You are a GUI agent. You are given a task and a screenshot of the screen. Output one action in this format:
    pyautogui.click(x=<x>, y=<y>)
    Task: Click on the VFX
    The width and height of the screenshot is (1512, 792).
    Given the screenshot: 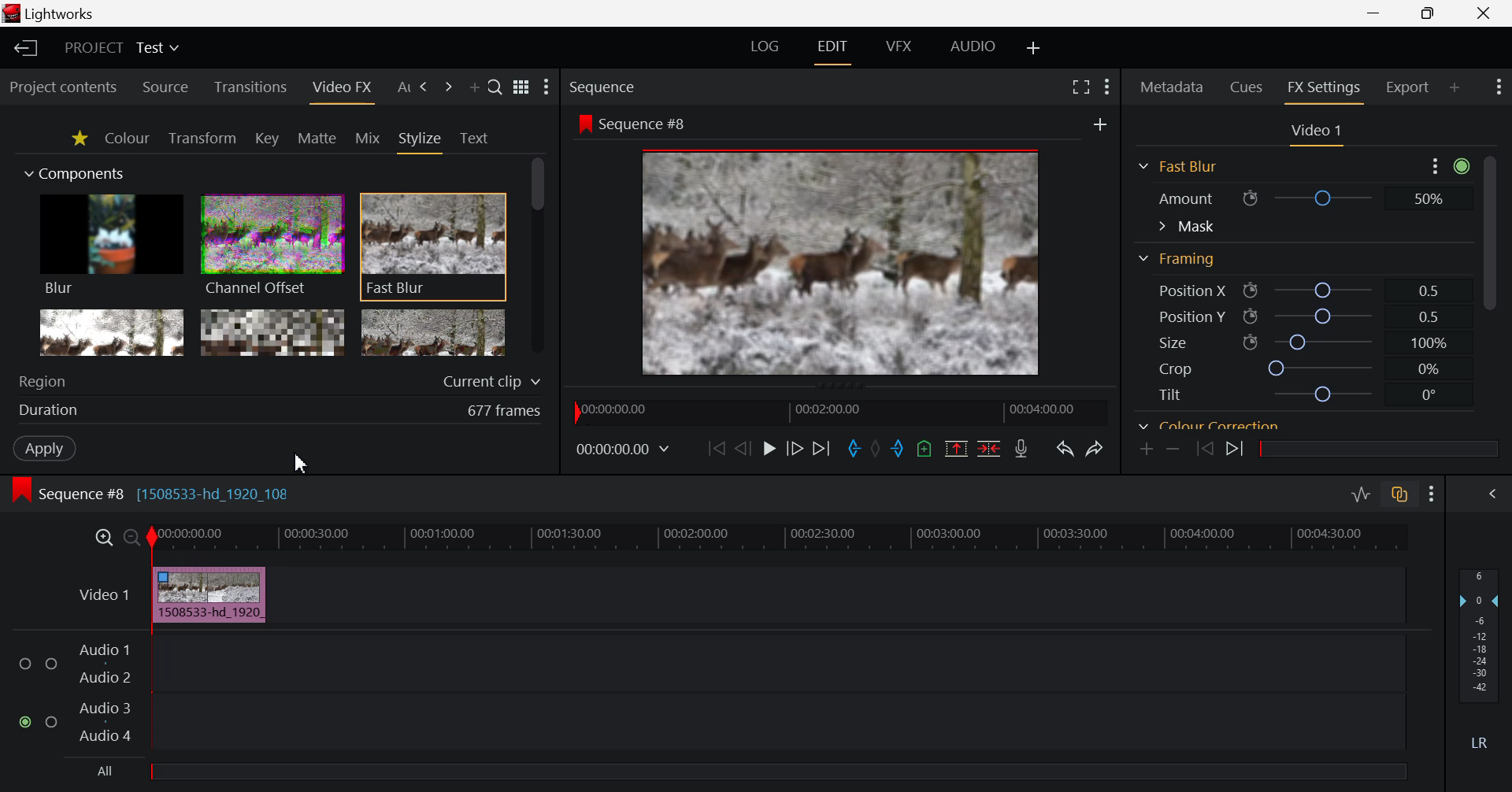 What is the action you would take?
    pyautogui.click(x=899, y=50)
    